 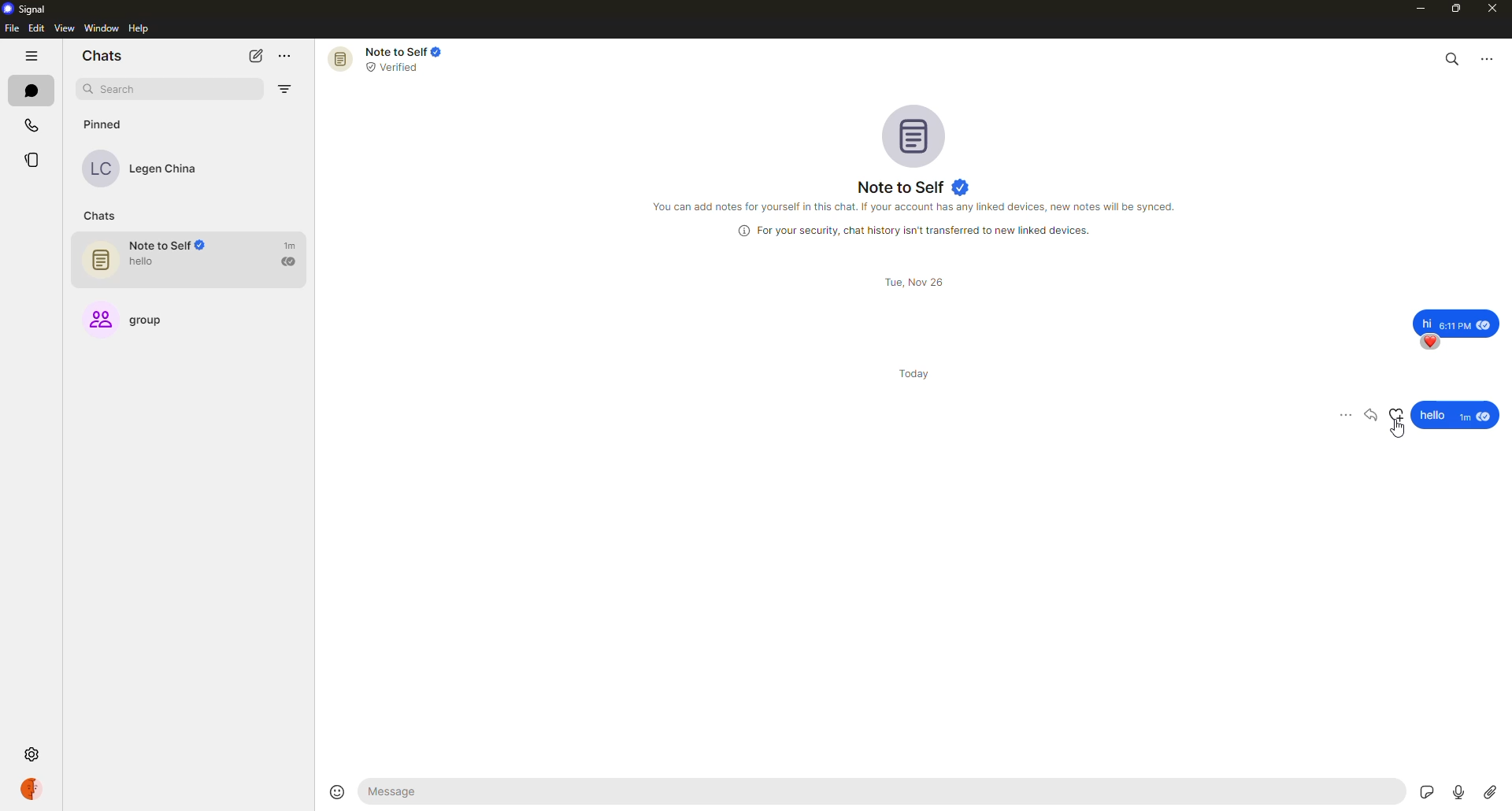 What do you see at coordinates (917, 282) in the screenshot?
I see `day` at bounding box center [917, 282].